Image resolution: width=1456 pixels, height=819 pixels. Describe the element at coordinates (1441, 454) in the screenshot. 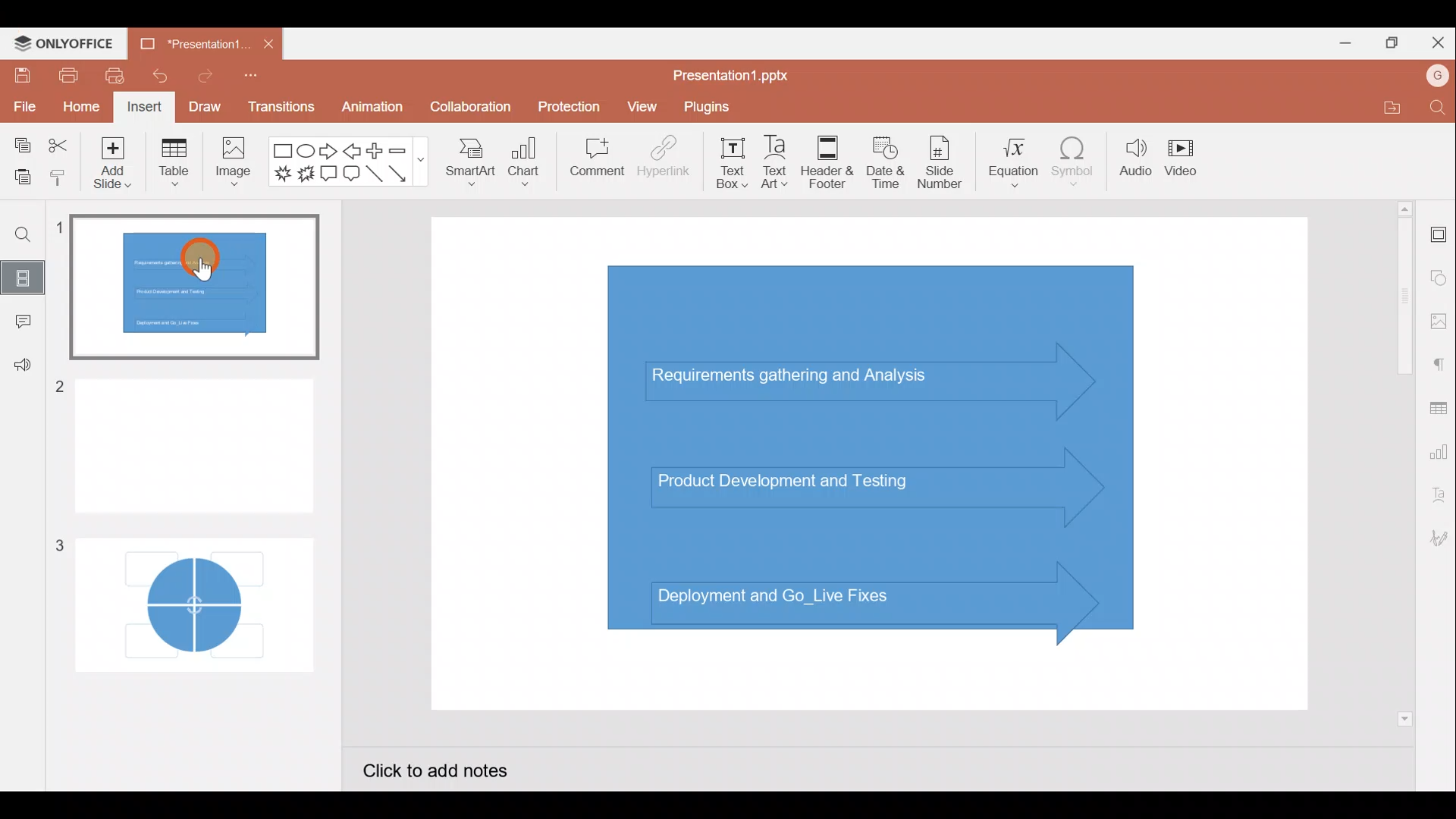

I see `Chart settings` at that location.